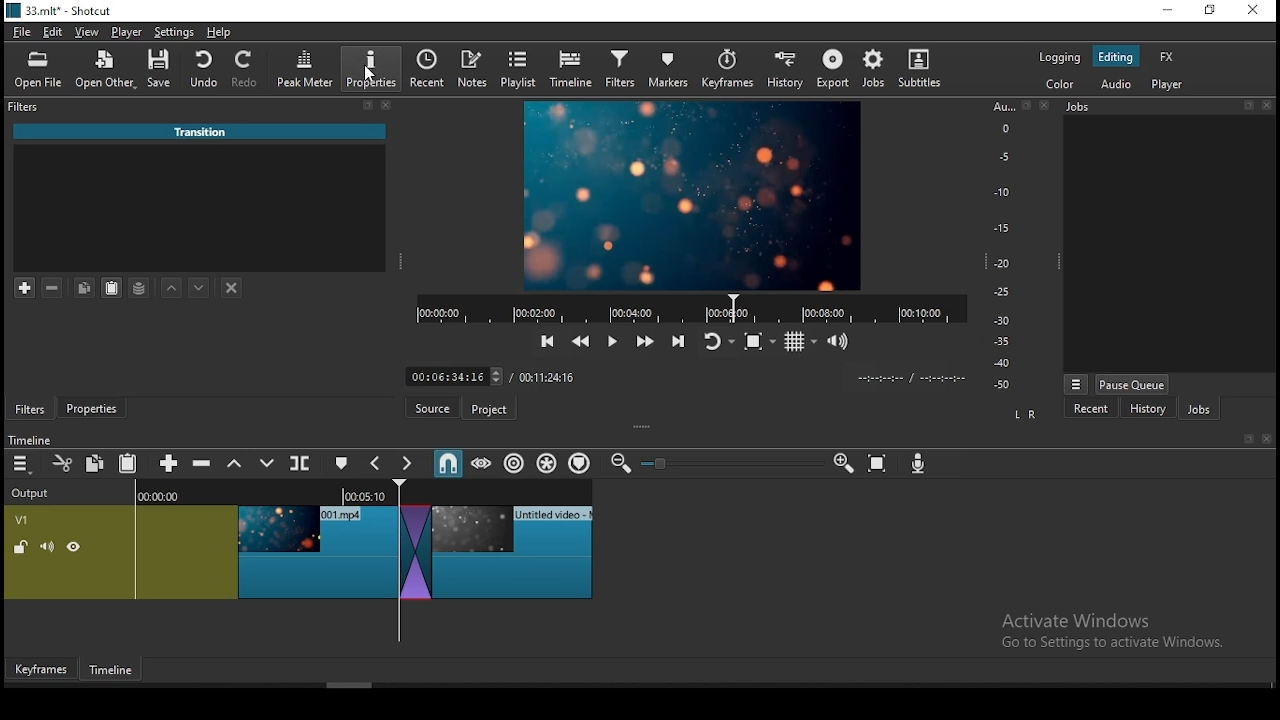  What do you see at coordinates (233, 289) in the screenshot?
I see `deselct filter` at bounding box center [233, 289].